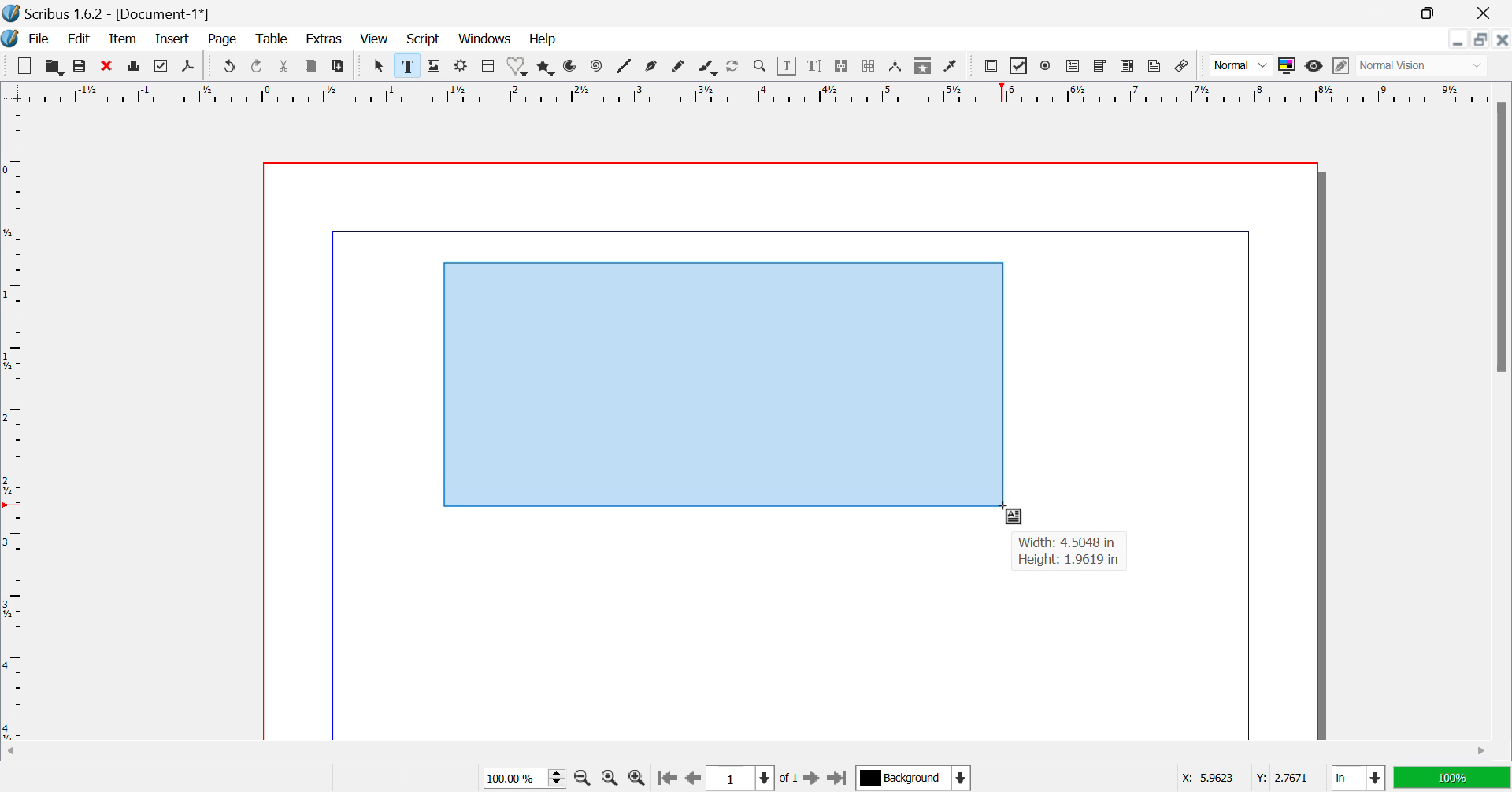  Describe the element at coordinates (1359, 777) in the screenshot. I see `in` at that location.